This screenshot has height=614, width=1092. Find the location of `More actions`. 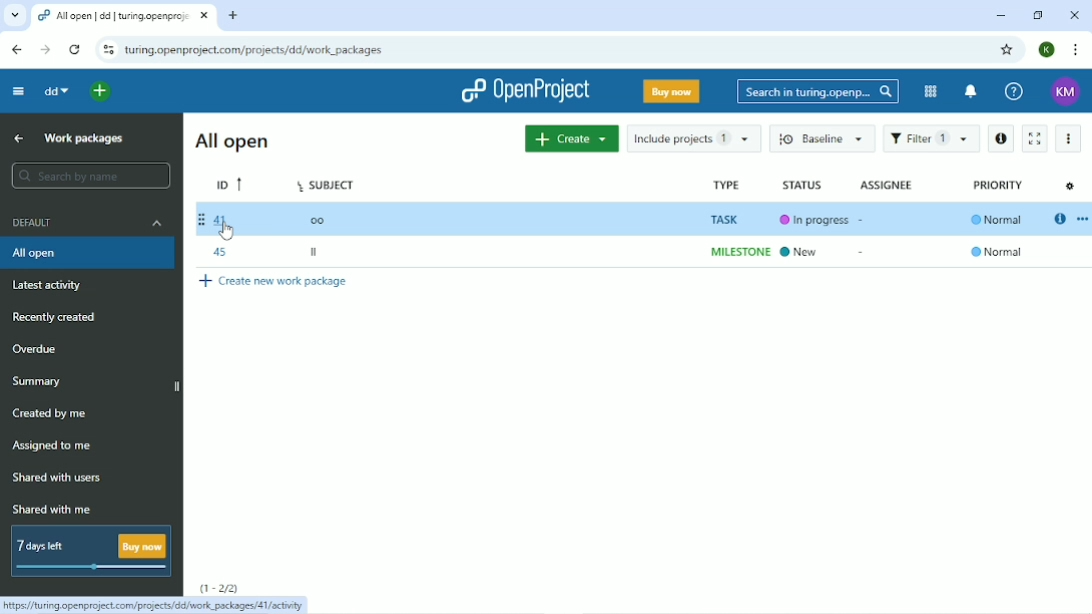

More actions is located at coordinates (1069, 139).